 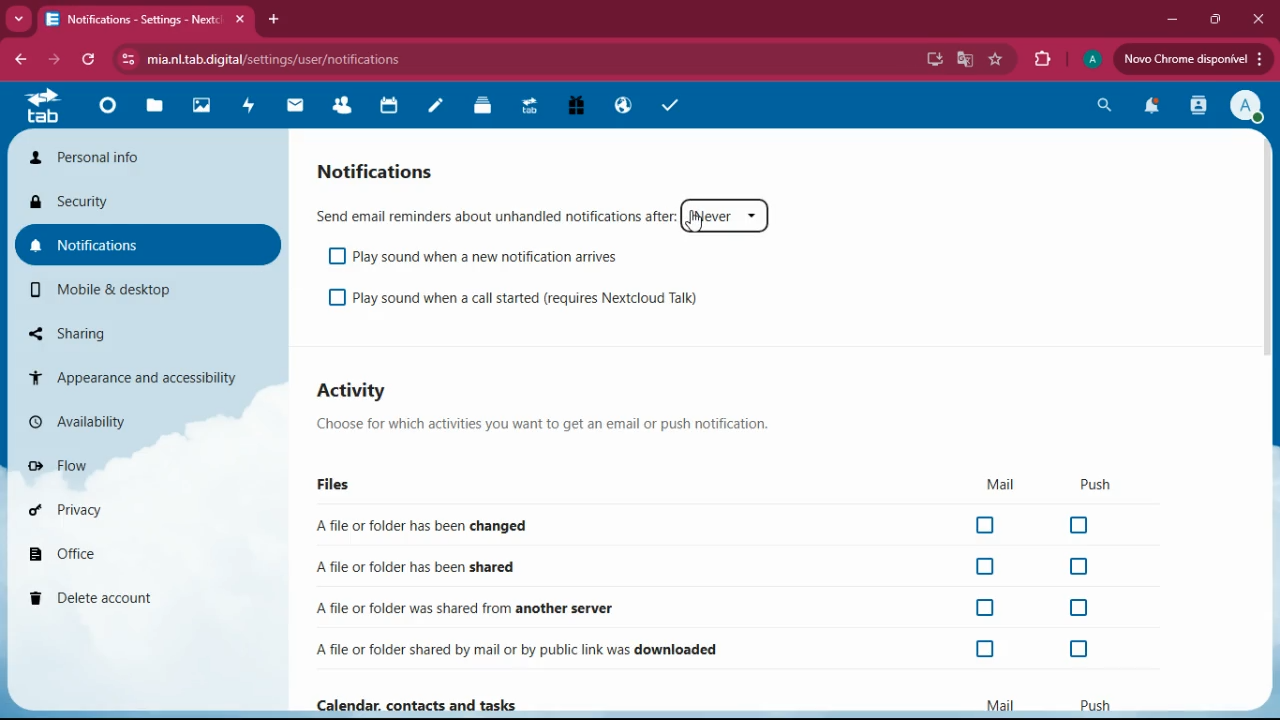 I want to click on security, so click(x=145, y=204).